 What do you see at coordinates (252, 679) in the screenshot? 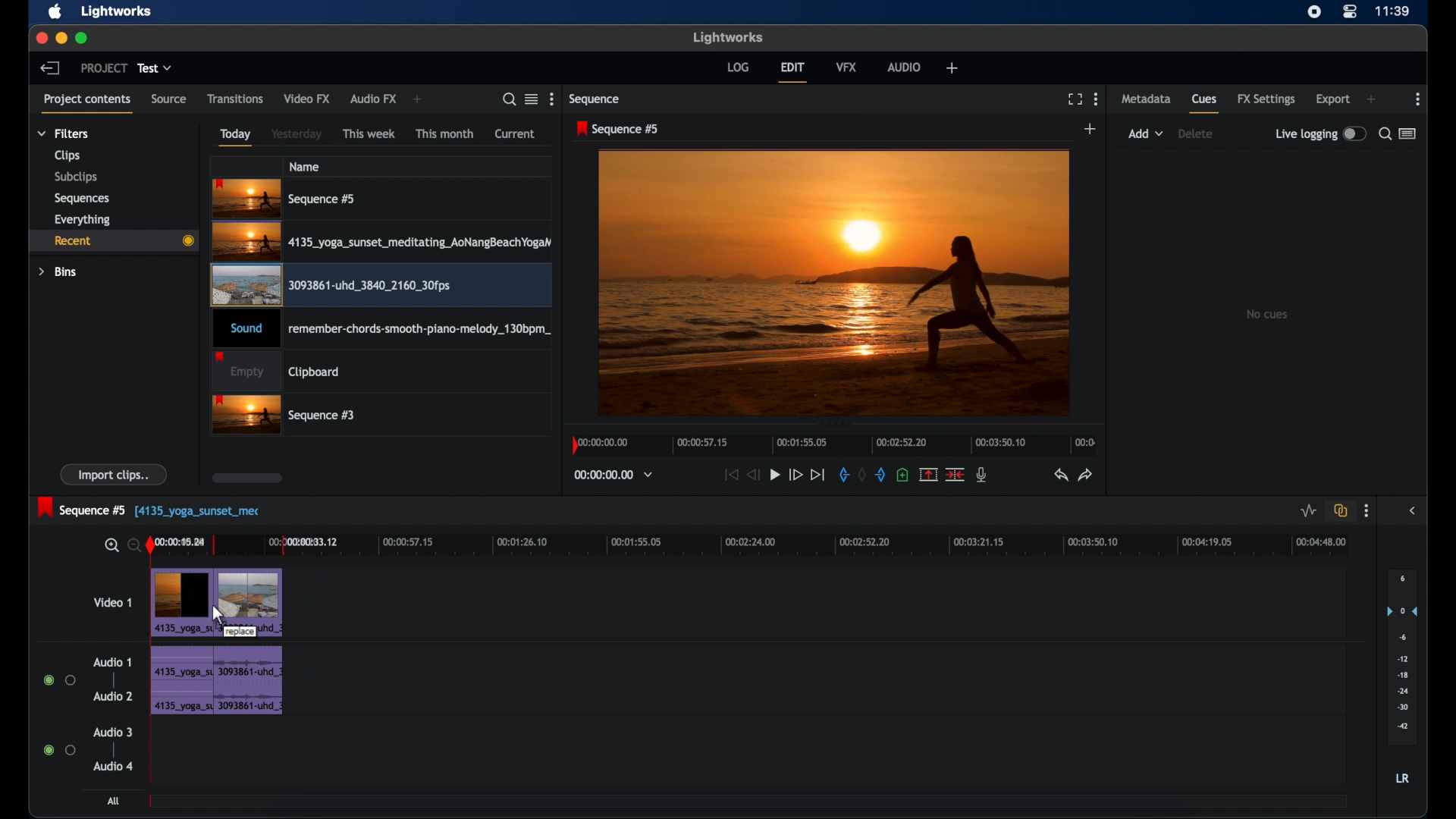
I see `audio clip` at bounding box center [252, 679].